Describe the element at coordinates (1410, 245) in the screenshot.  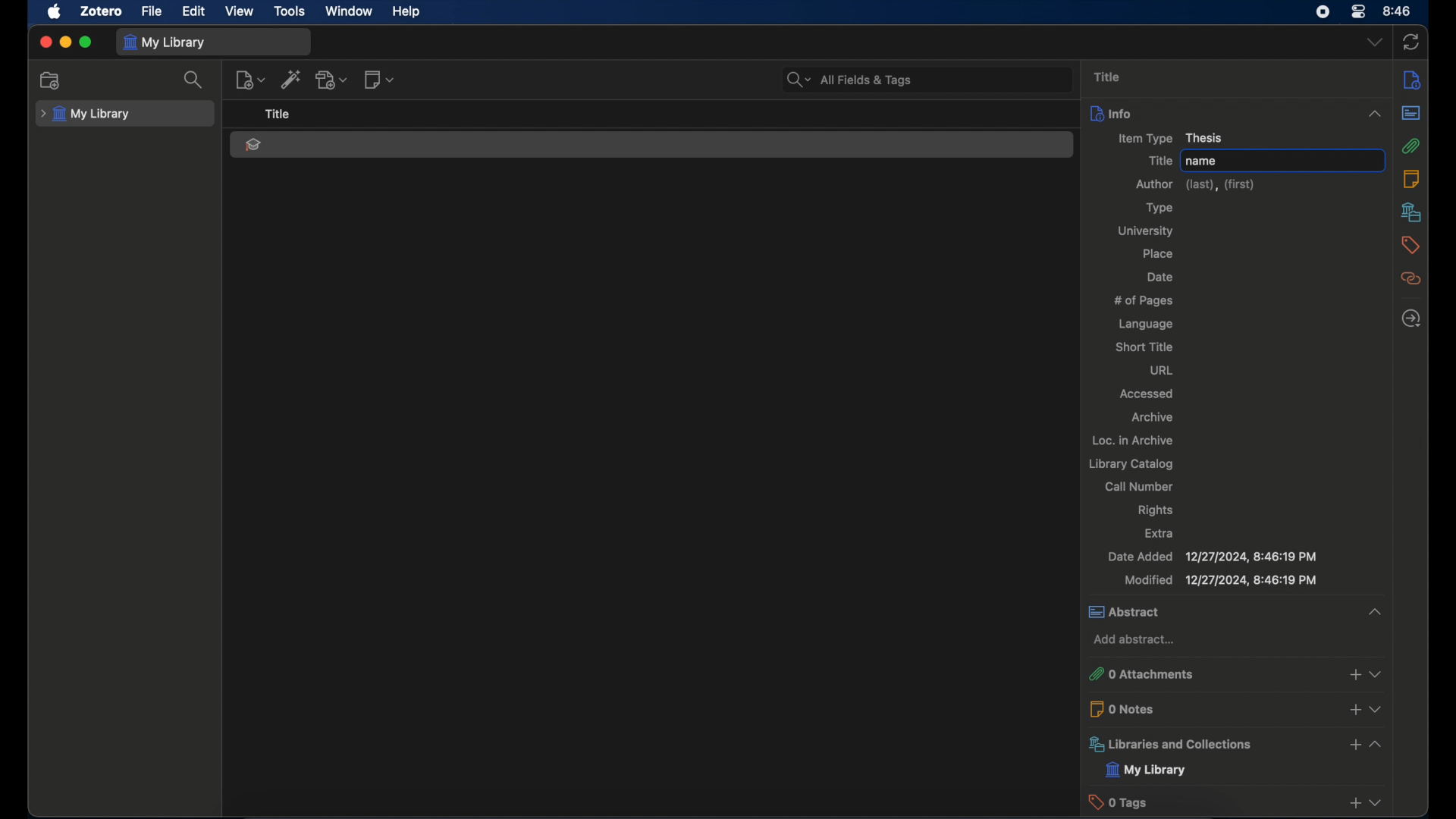
I see `tags` at that location.